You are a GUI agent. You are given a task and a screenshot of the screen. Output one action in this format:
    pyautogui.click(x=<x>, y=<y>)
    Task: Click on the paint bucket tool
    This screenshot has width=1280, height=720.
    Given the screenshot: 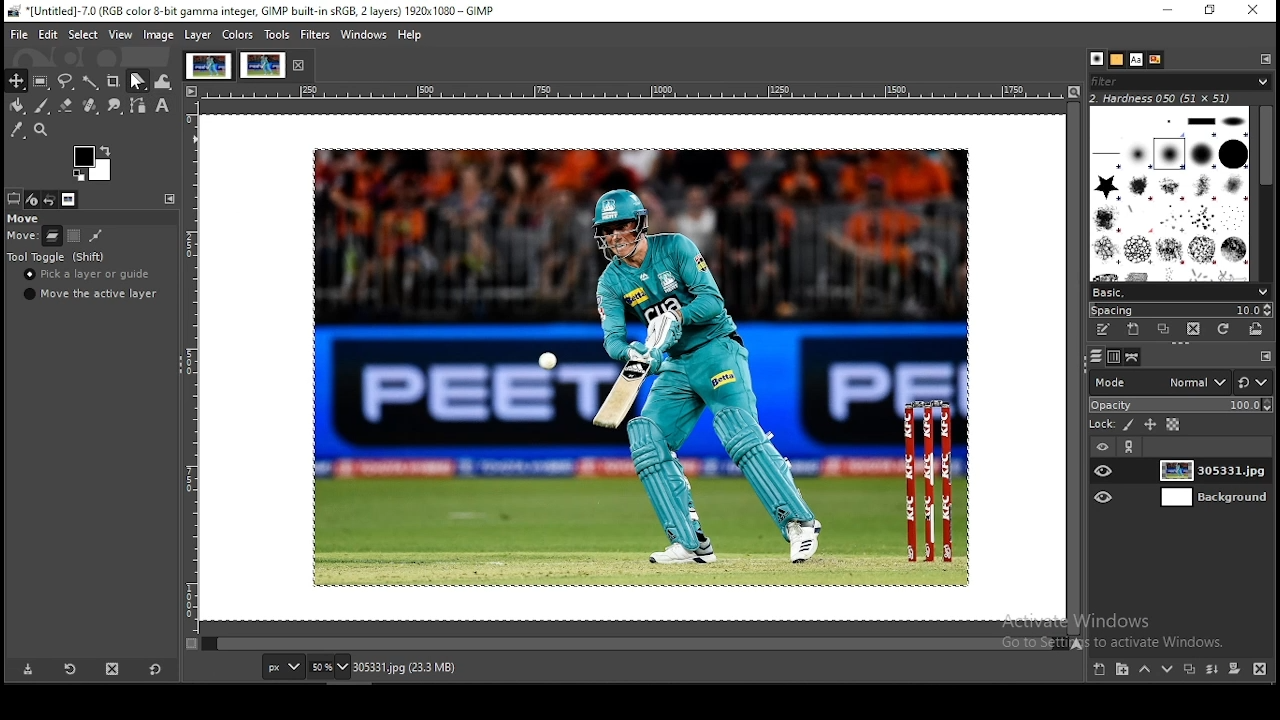 What is the action you would take?
    pyautogui.click(x=19, y=107)
    